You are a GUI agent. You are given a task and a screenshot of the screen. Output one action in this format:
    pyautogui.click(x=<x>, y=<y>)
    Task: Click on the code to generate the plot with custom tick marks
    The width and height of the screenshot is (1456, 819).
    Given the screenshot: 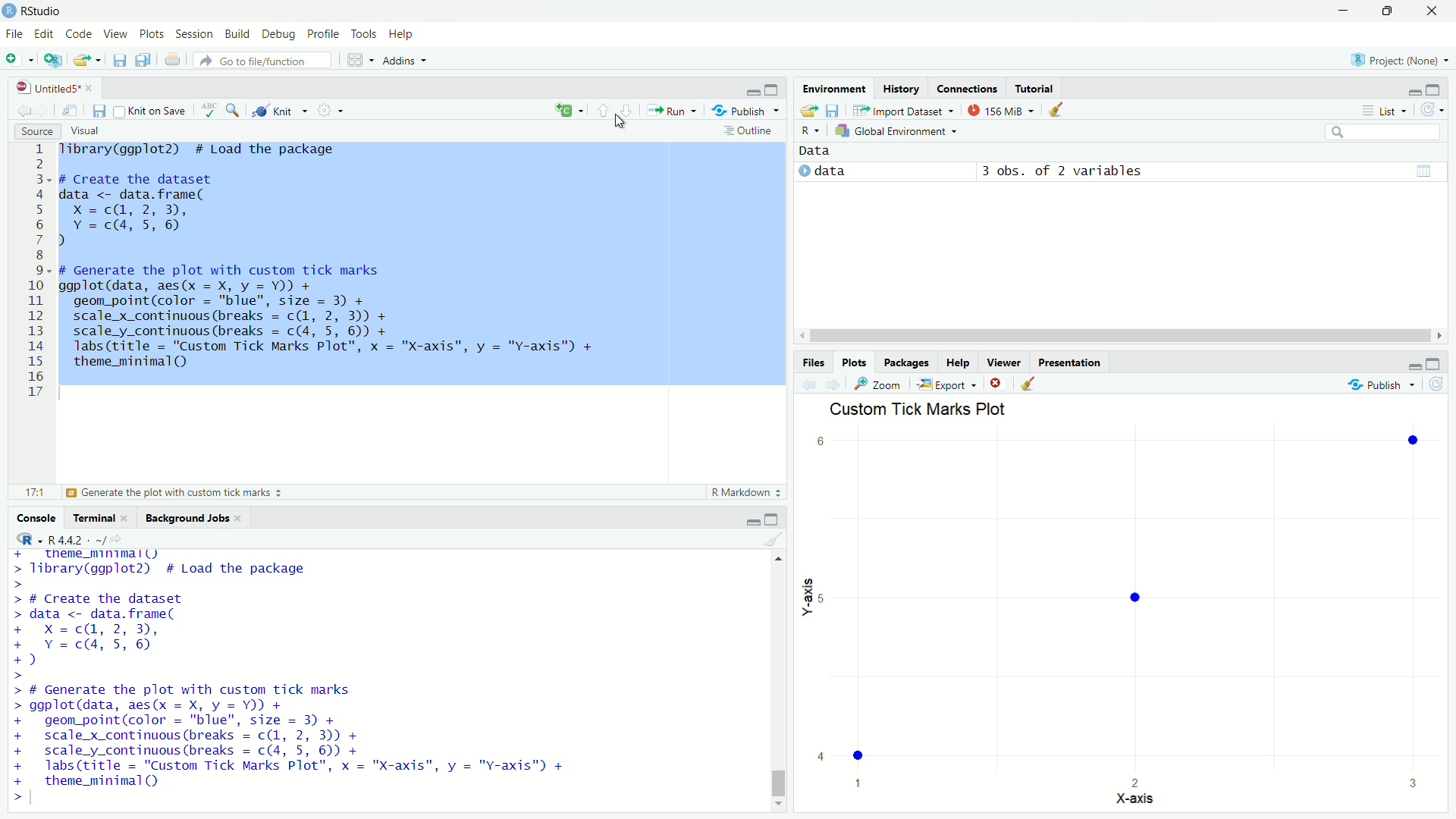 What is the action you would take?
    pyautogui.click(x=338, y=322)
    